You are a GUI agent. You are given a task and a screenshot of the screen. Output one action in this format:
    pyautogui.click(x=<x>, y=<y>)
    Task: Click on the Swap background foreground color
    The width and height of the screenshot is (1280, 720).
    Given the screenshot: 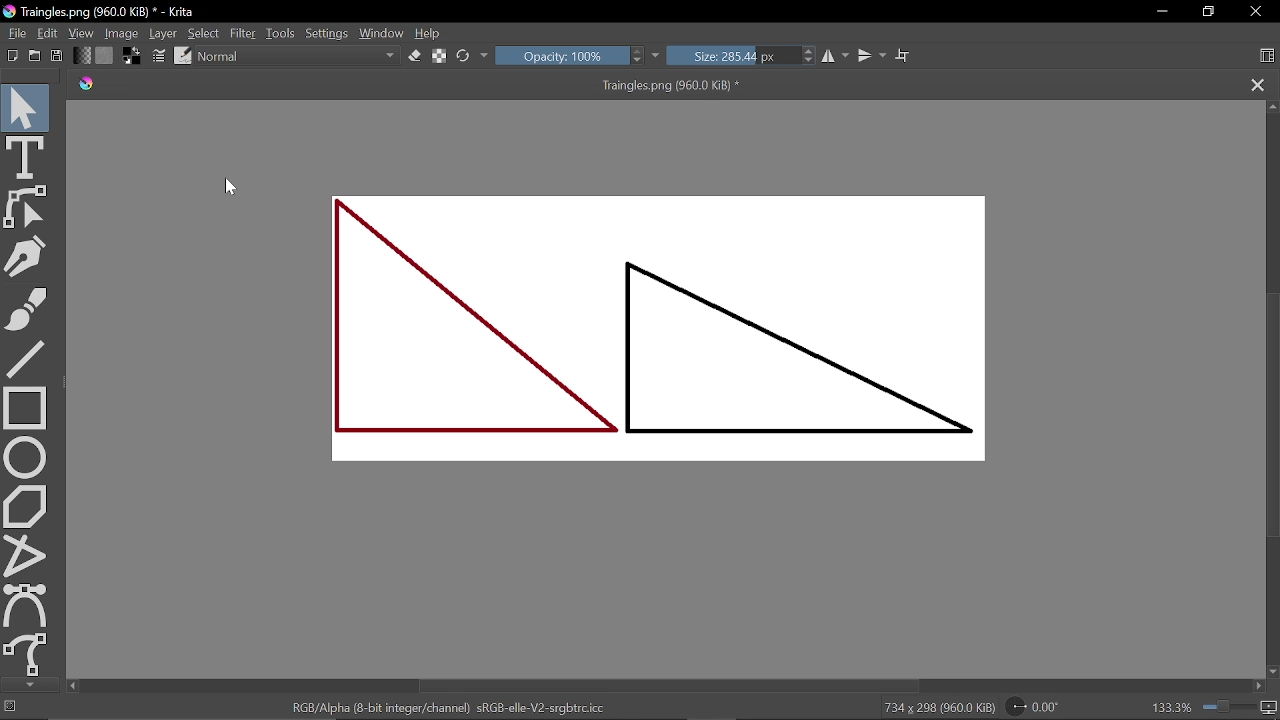 What is the action you would take?
    pyautogui.click(x=129, y=58)
    